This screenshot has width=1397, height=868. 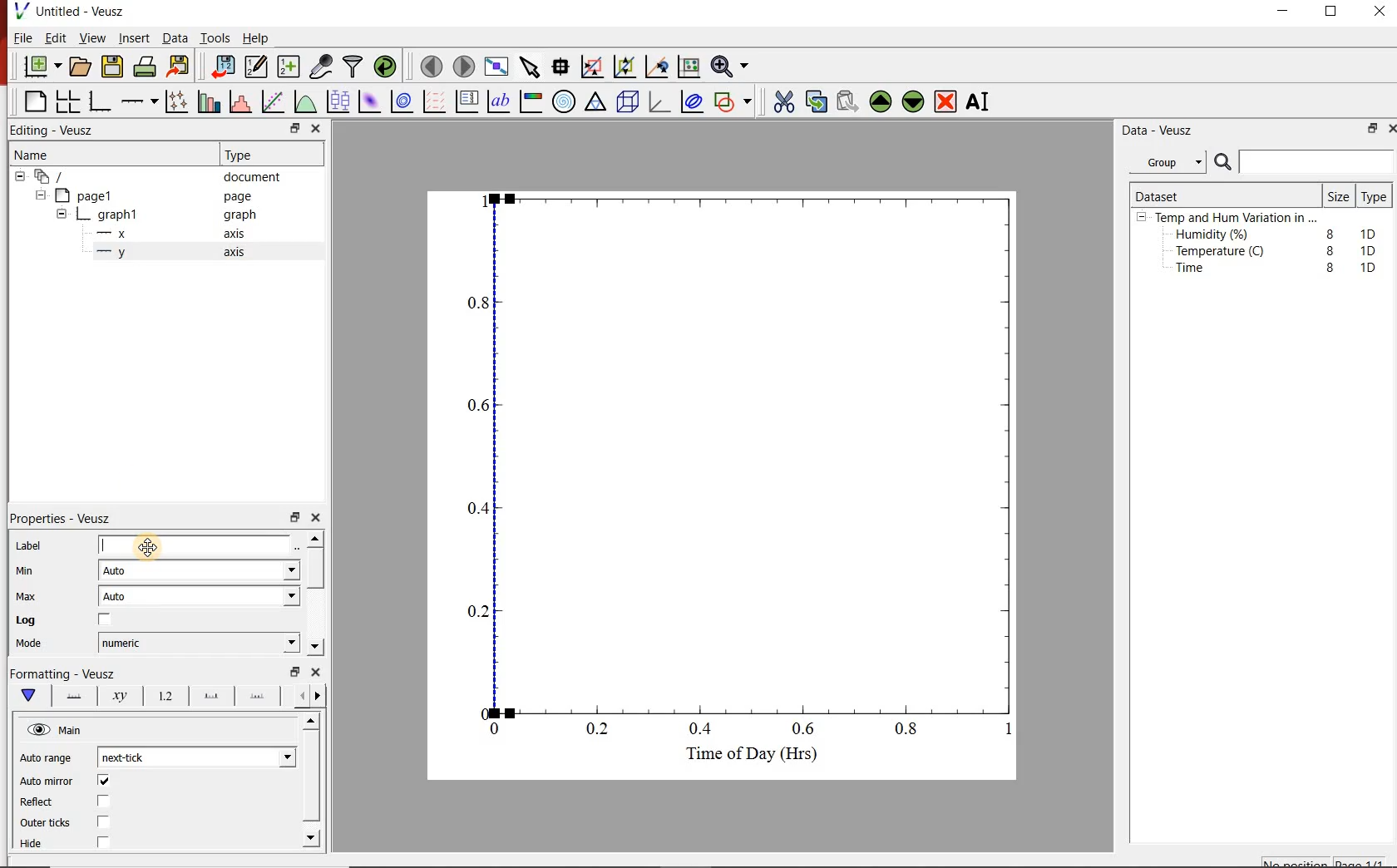 I want to click on close, so click(x=317, y=128).